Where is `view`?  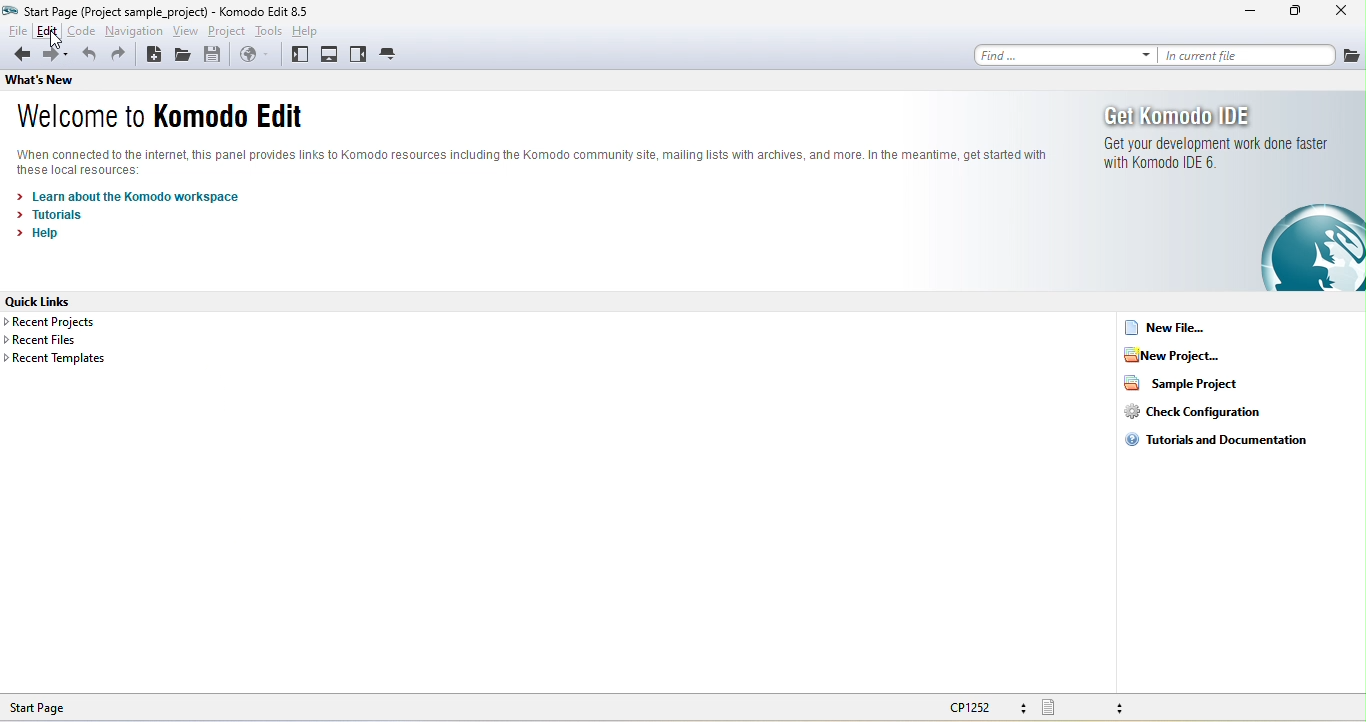 view is located at coordinates (186, 30).